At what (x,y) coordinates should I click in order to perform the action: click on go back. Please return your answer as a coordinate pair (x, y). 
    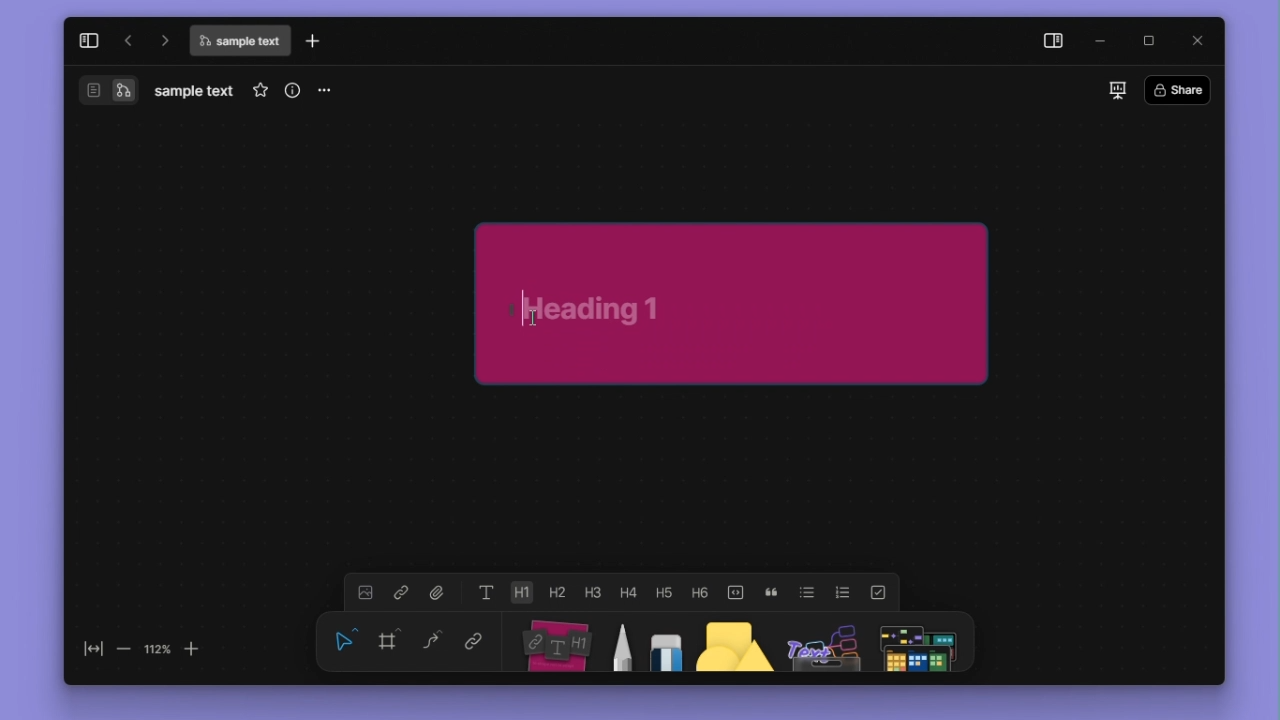
    Looking at the image, I should click on (128, 40).